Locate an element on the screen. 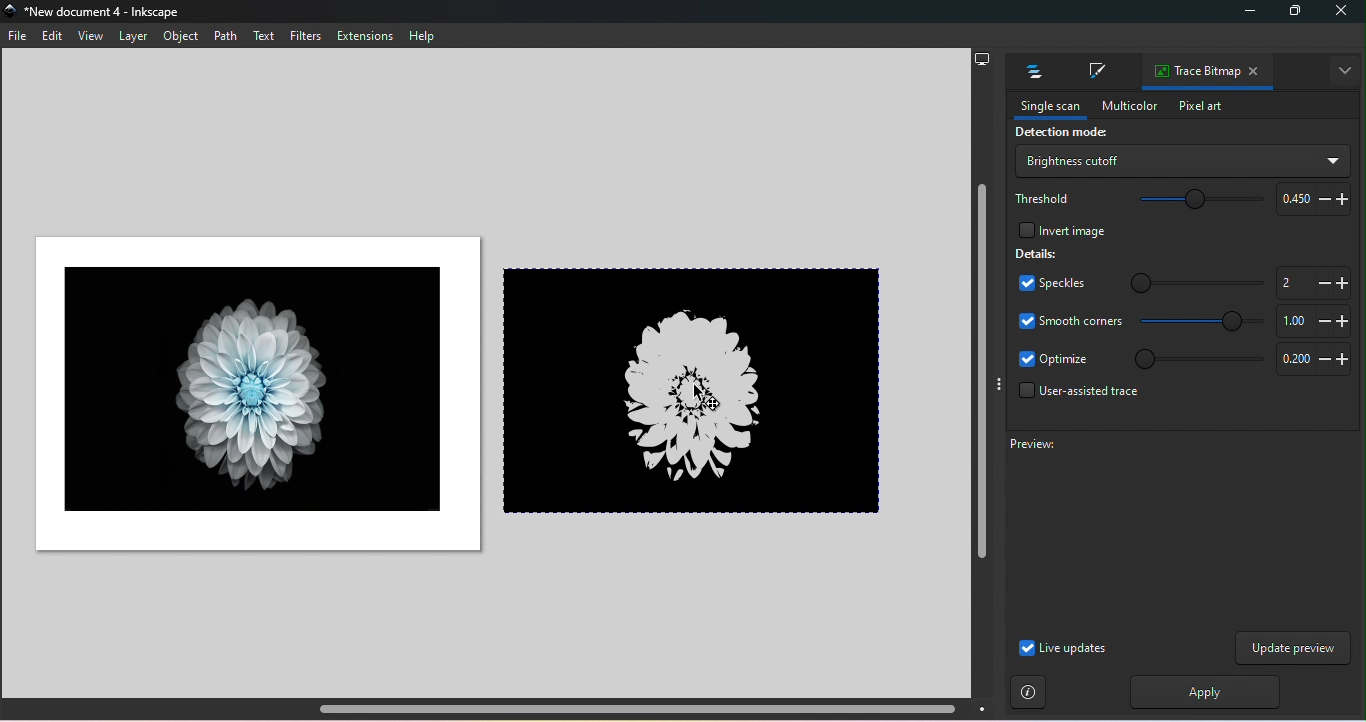 This screenshot has height=722, width=1366. Toggle display options is located at coordinates (1346, 71).